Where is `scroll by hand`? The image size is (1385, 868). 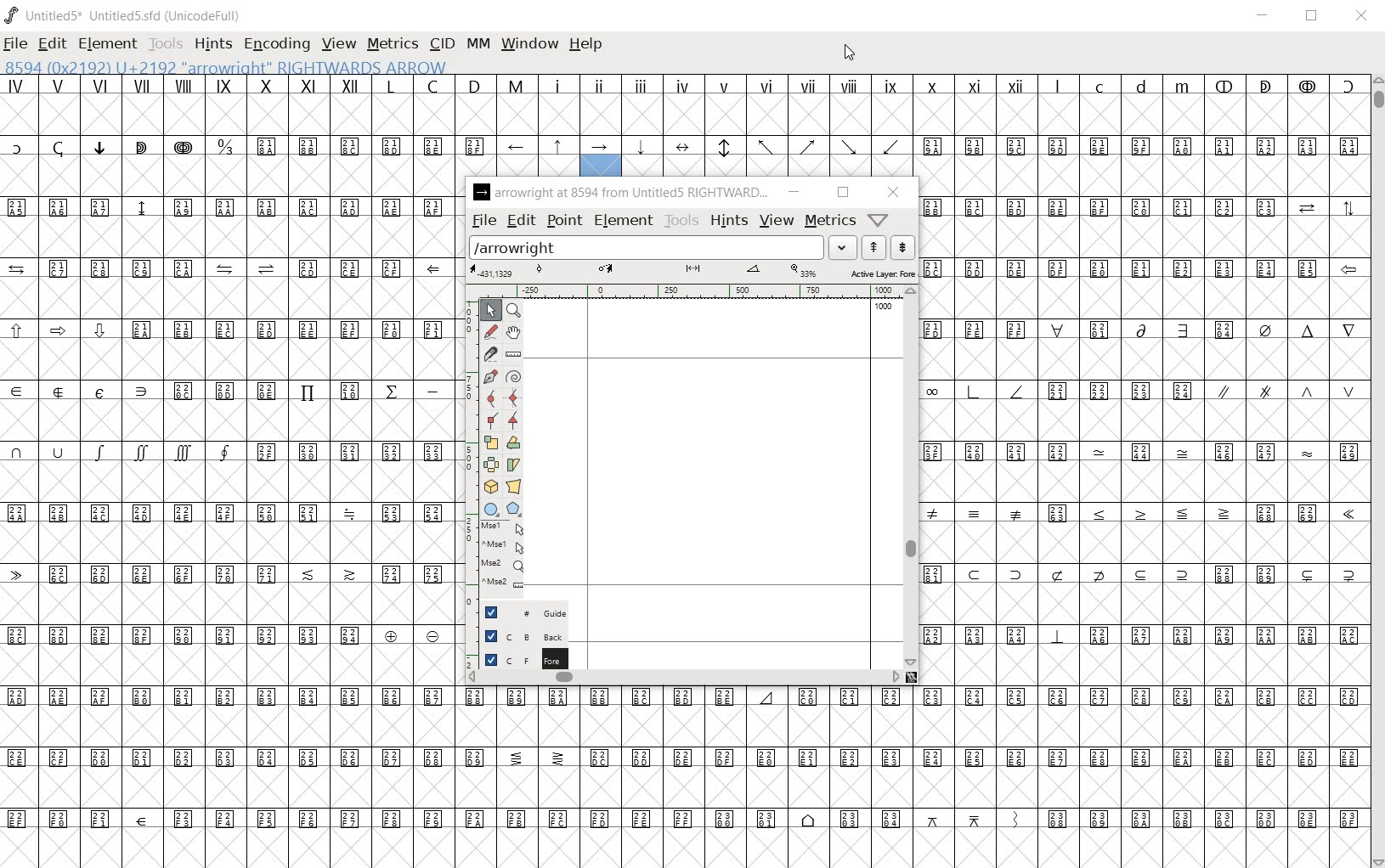
scroll by hand is located at coordinates (513, 334).